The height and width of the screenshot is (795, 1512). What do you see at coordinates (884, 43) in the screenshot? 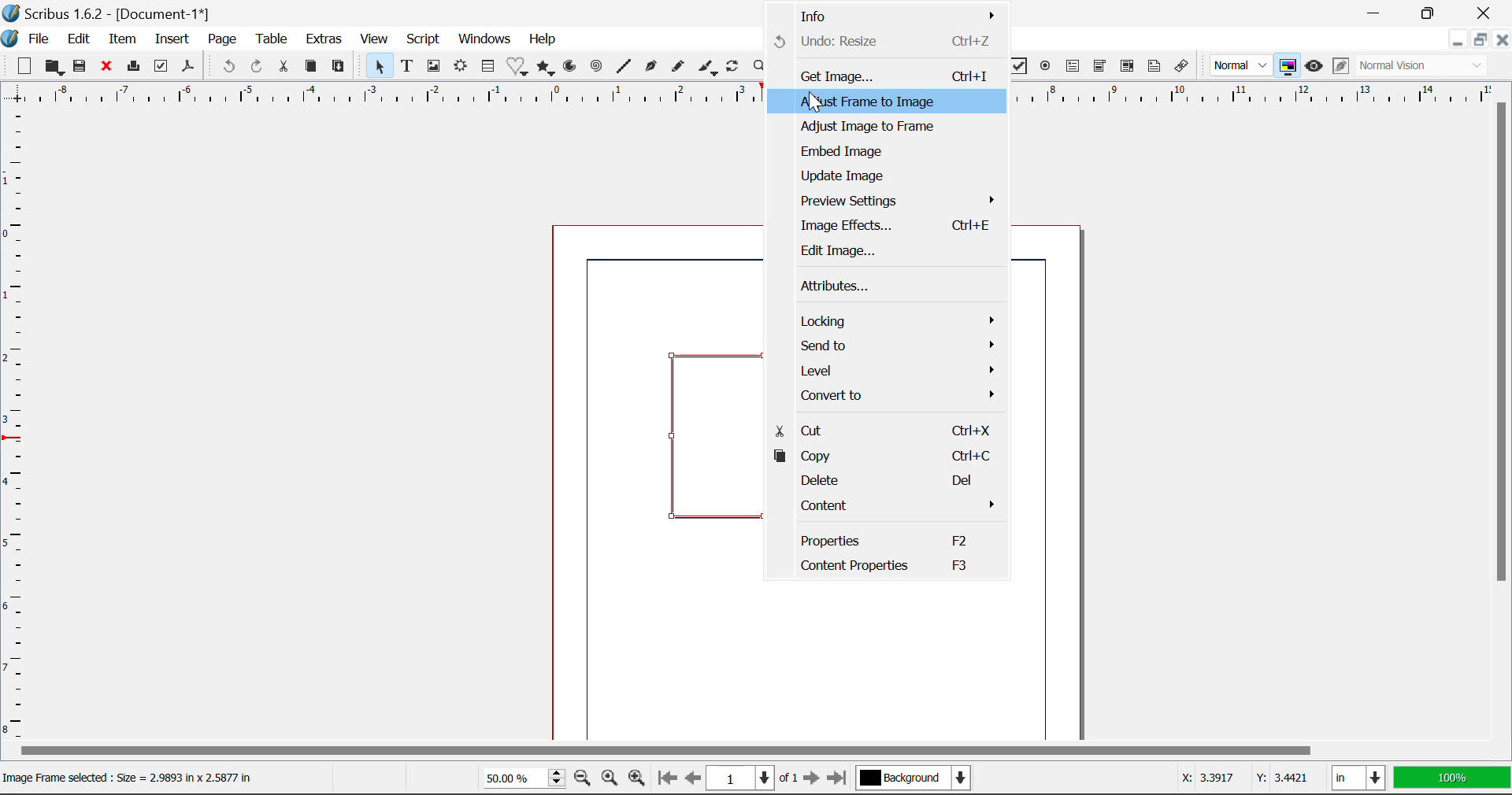
I see `Undo Resize` at bounding box center [884, 43].